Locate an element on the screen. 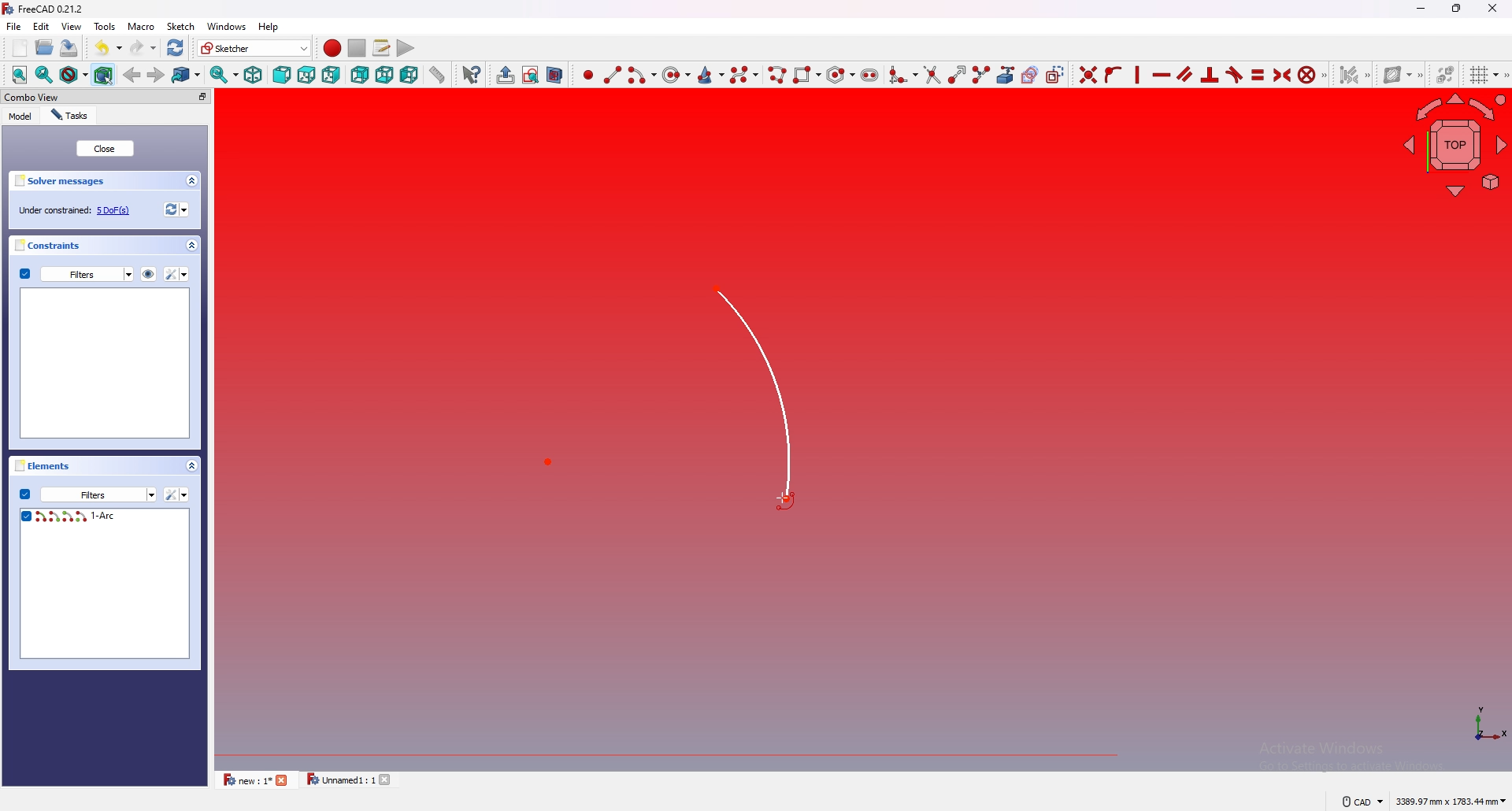 This screenshot has height=811, width=1512. left is located at coordinates (411, 75).